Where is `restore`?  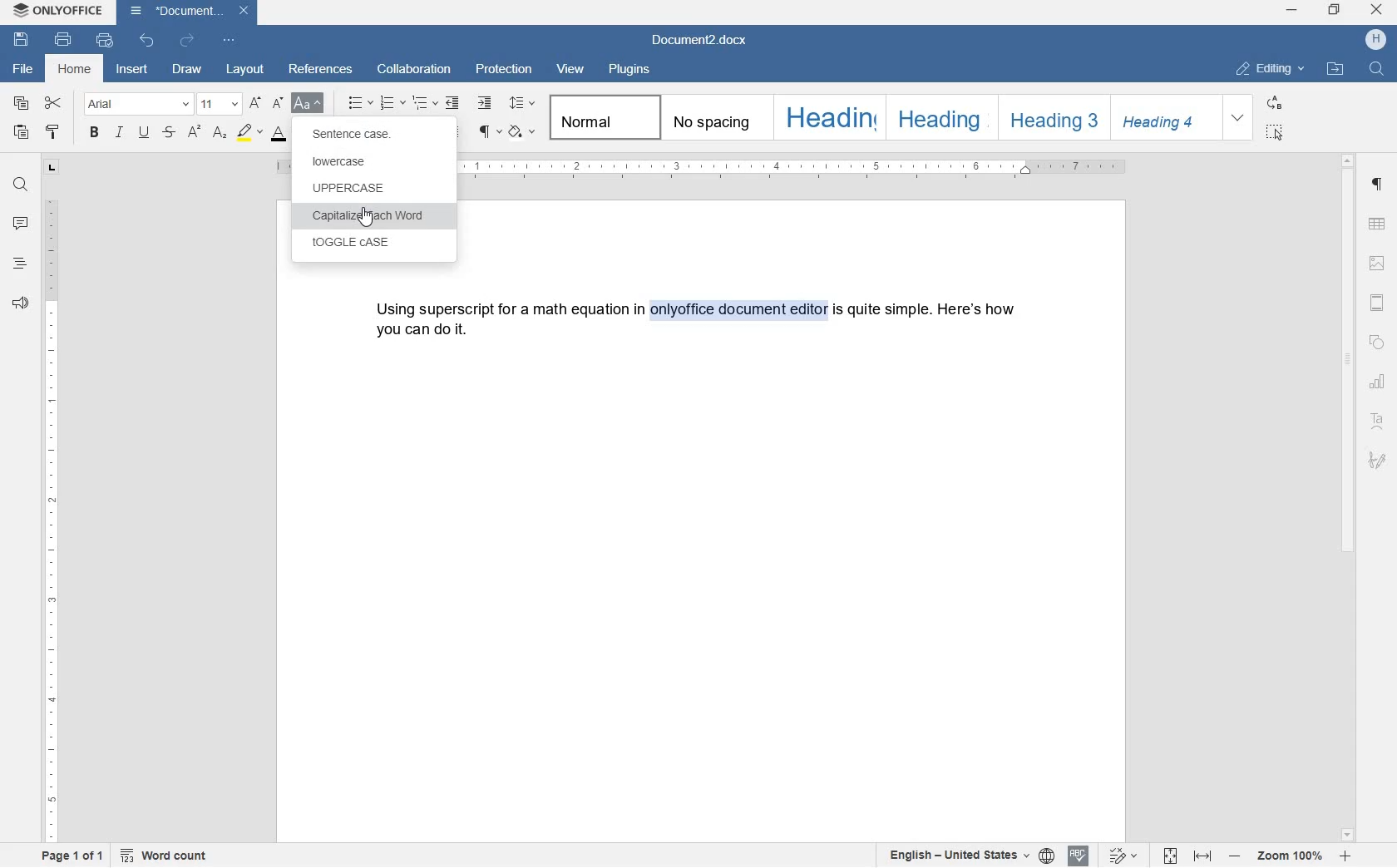 restore is located at coordinates (1335, 9).